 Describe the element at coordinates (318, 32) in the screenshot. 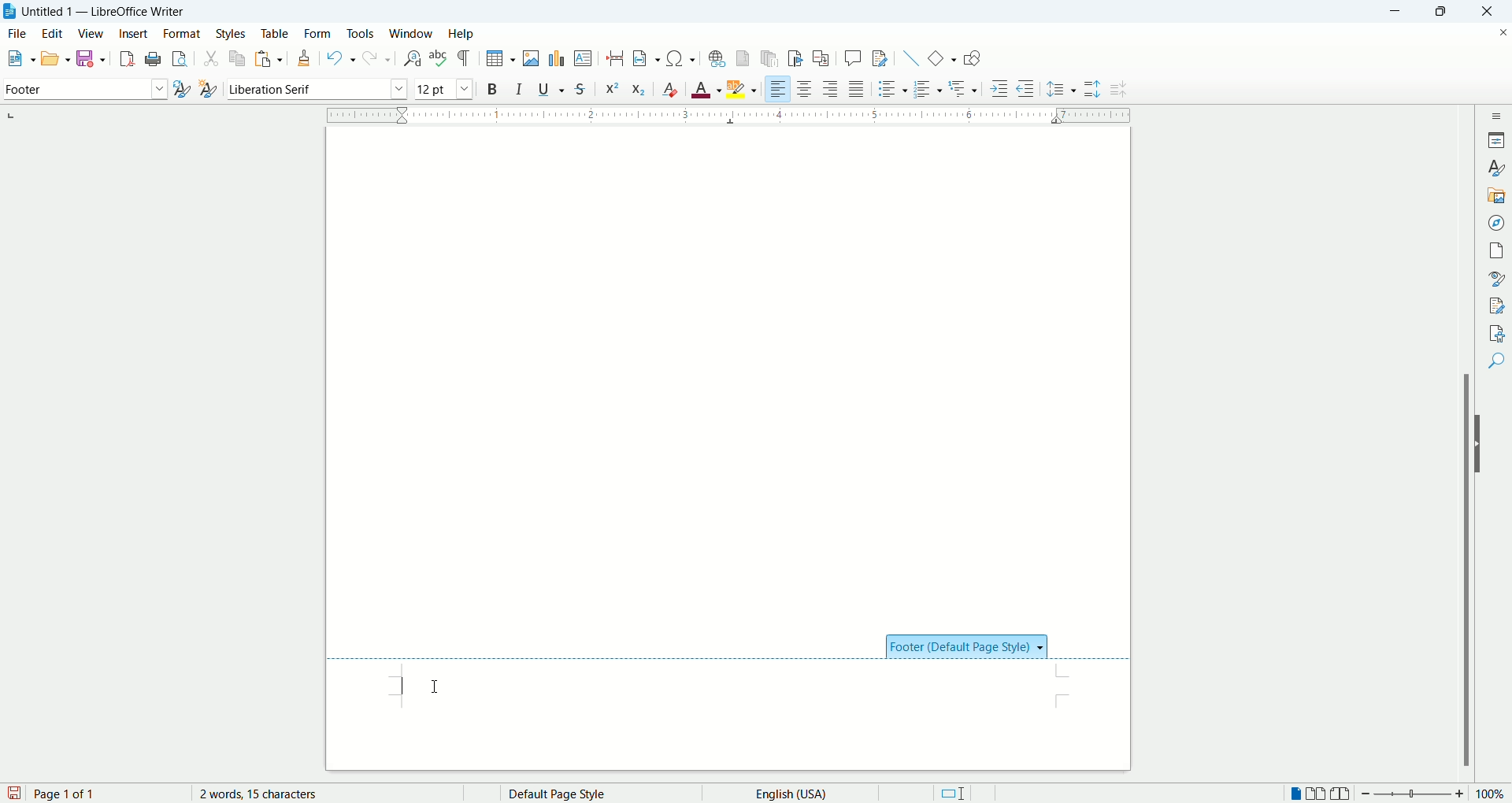

I see `form` at that location.